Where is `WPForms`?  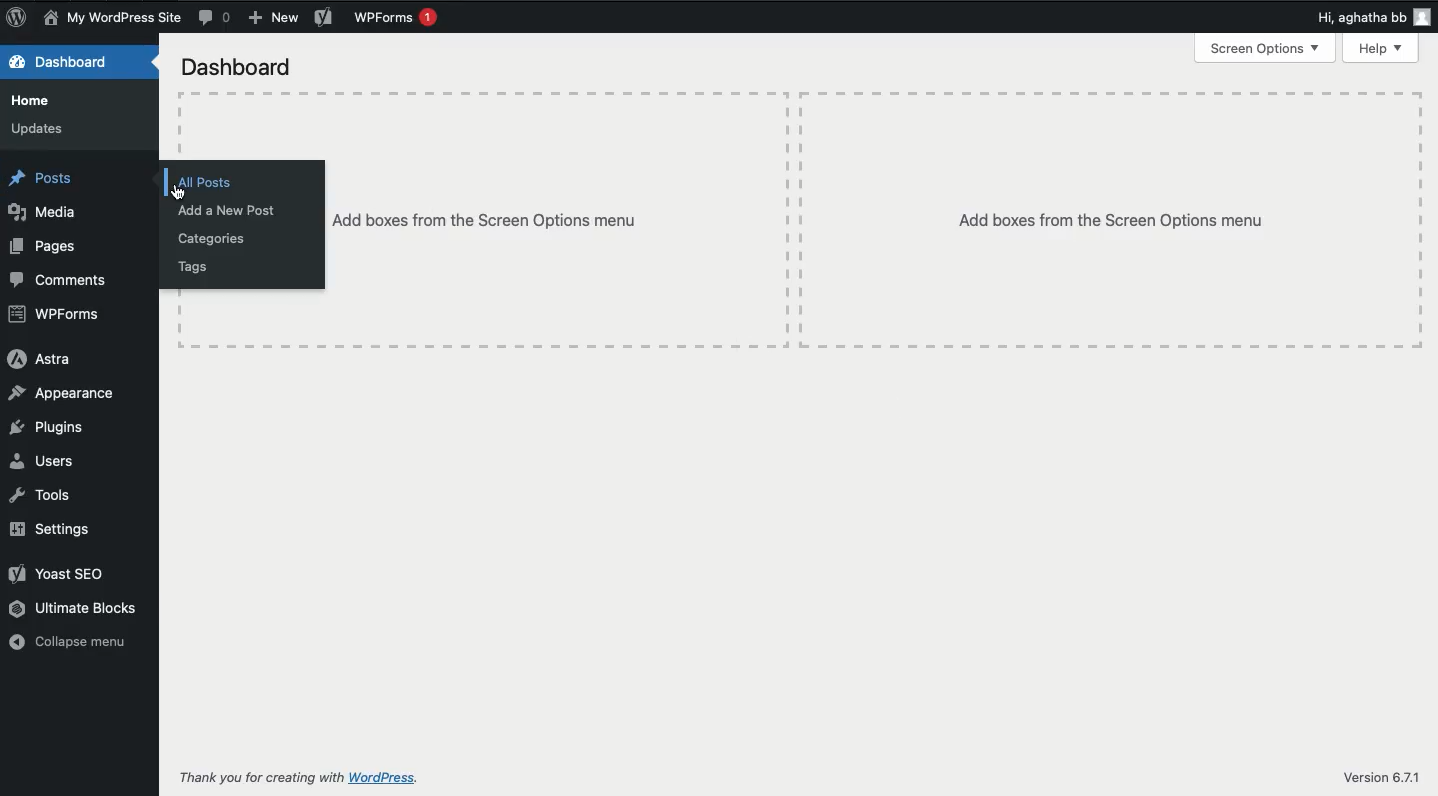 WPForms is located at coordinates (400, 20).